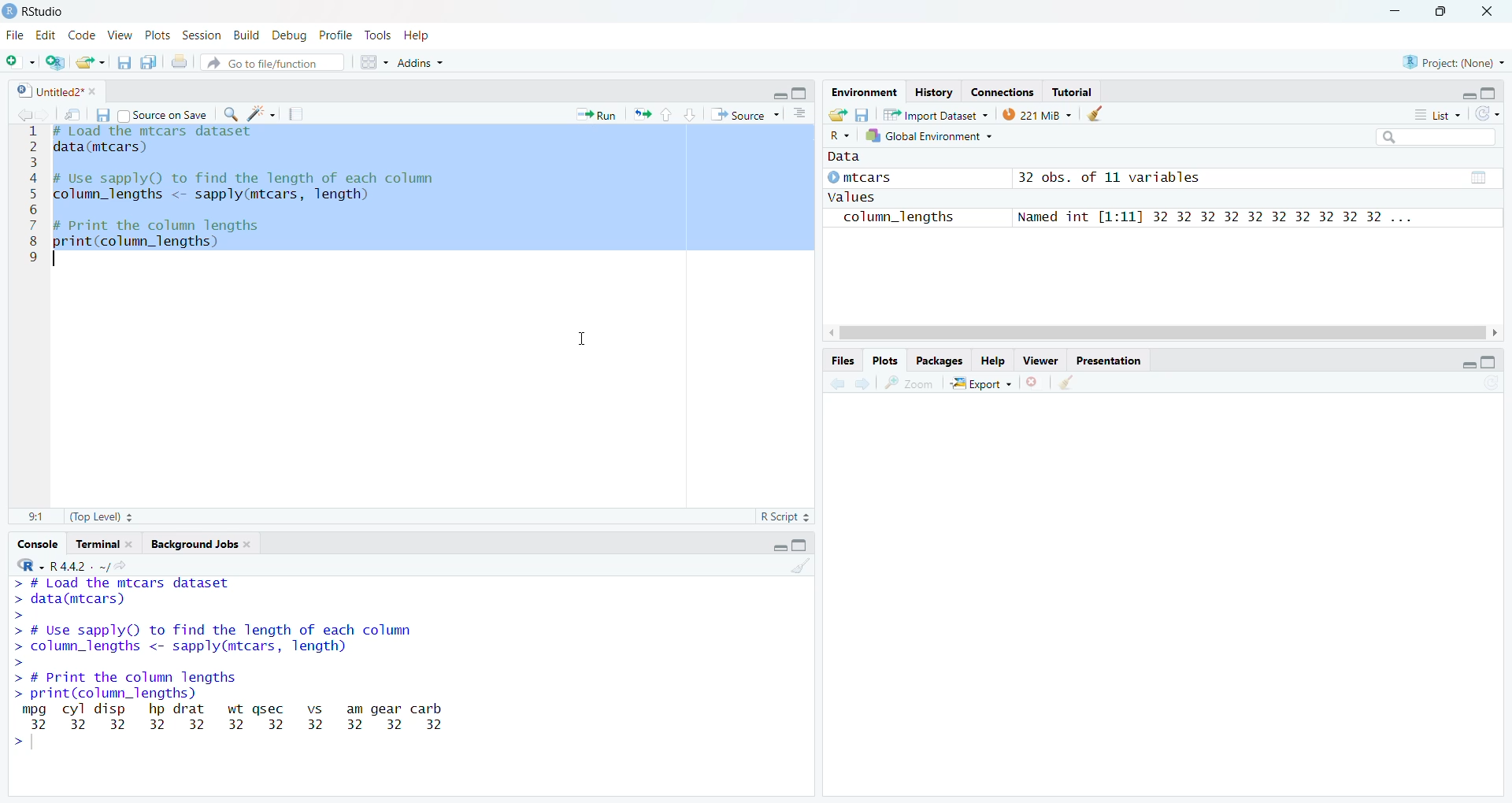 The height and width of the screenshot is (803, 1512). I want to click on Source, so click(744, 114).